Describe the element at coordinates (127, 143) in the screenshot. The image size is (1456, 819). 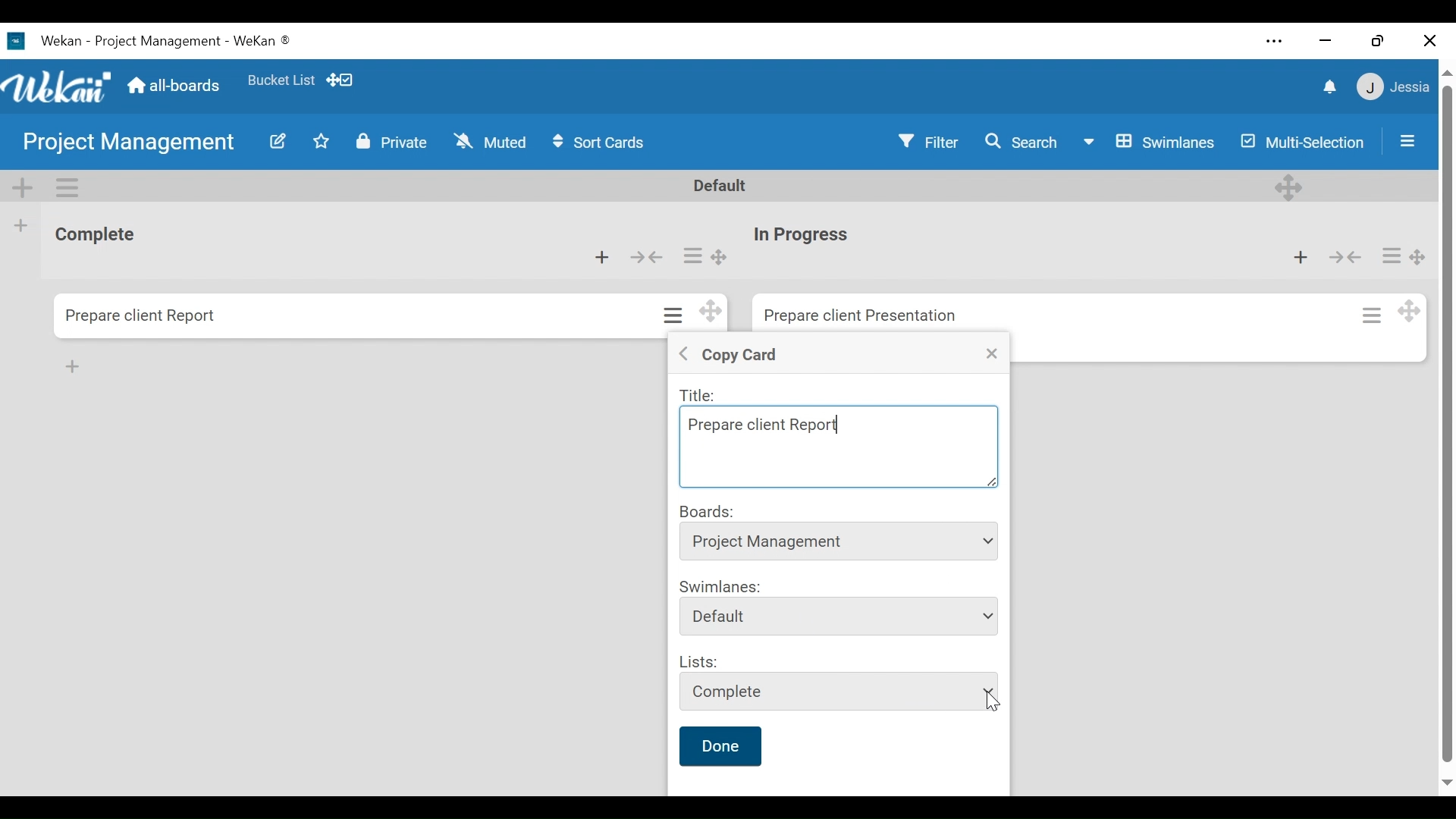
I see `Board Title` at that location.